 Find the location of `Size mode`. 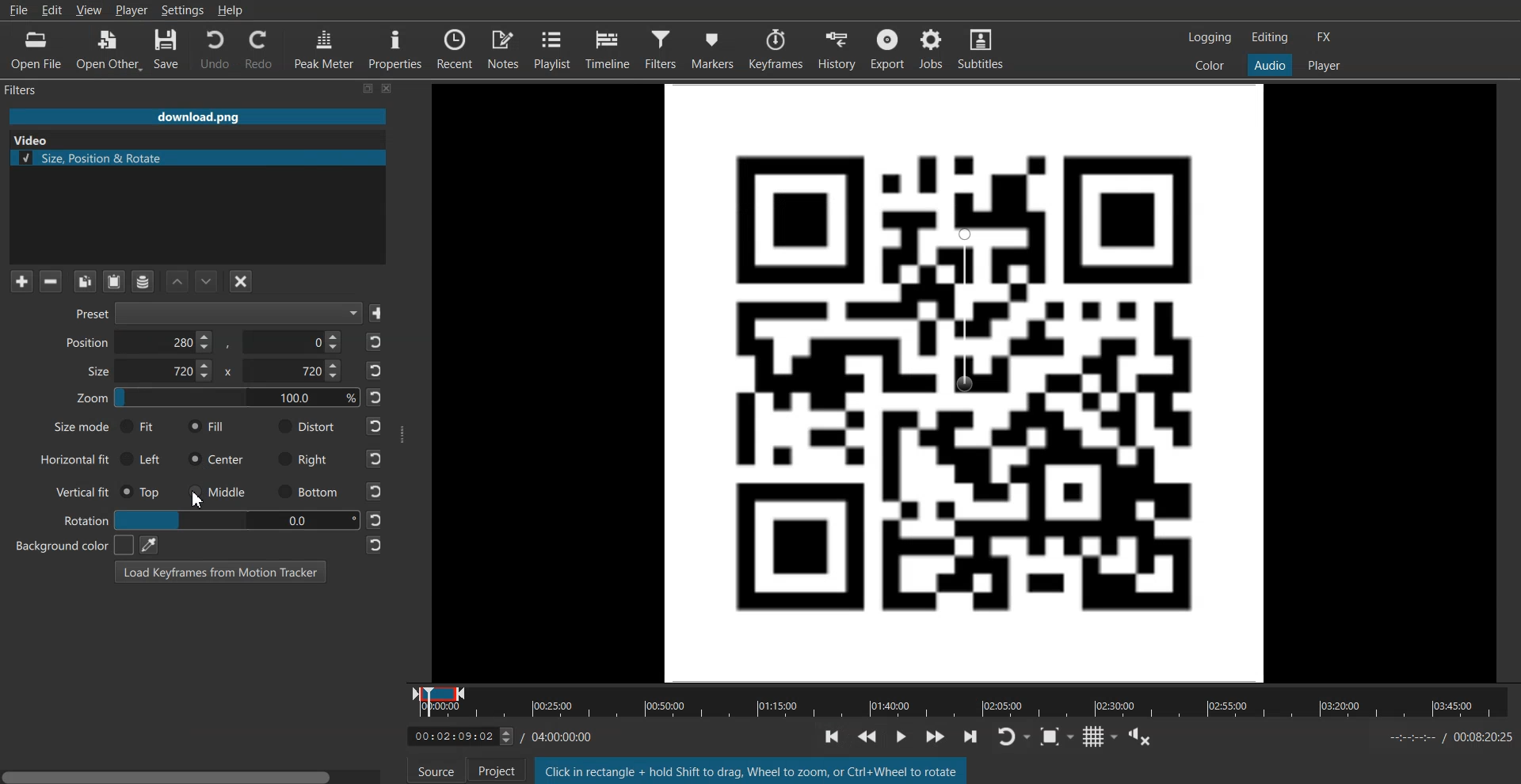

Size mode is located at coordinates (71, 429).